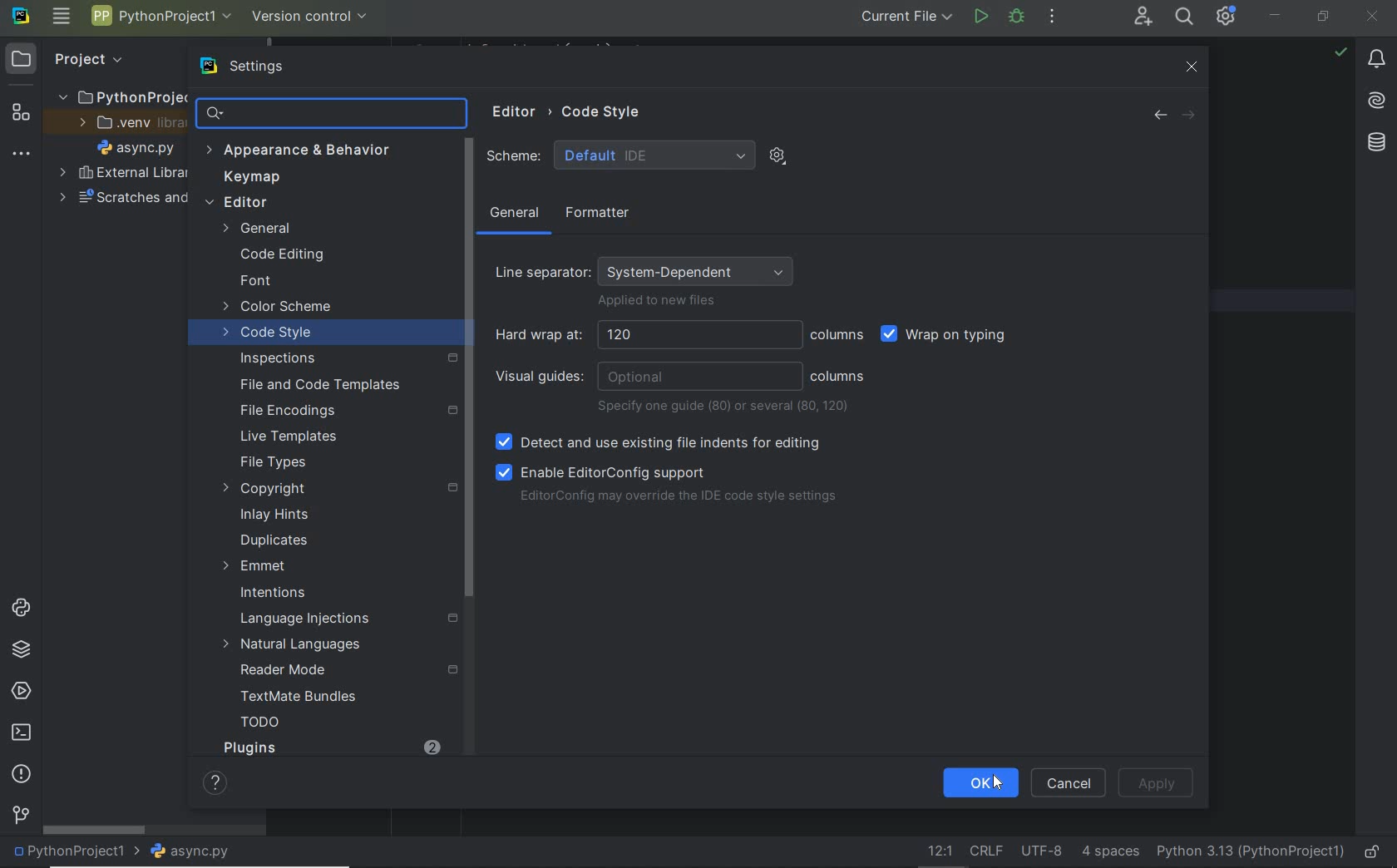 This screenshot has width=1397, height=868. I want to click on Plugins, so click(249, 747).